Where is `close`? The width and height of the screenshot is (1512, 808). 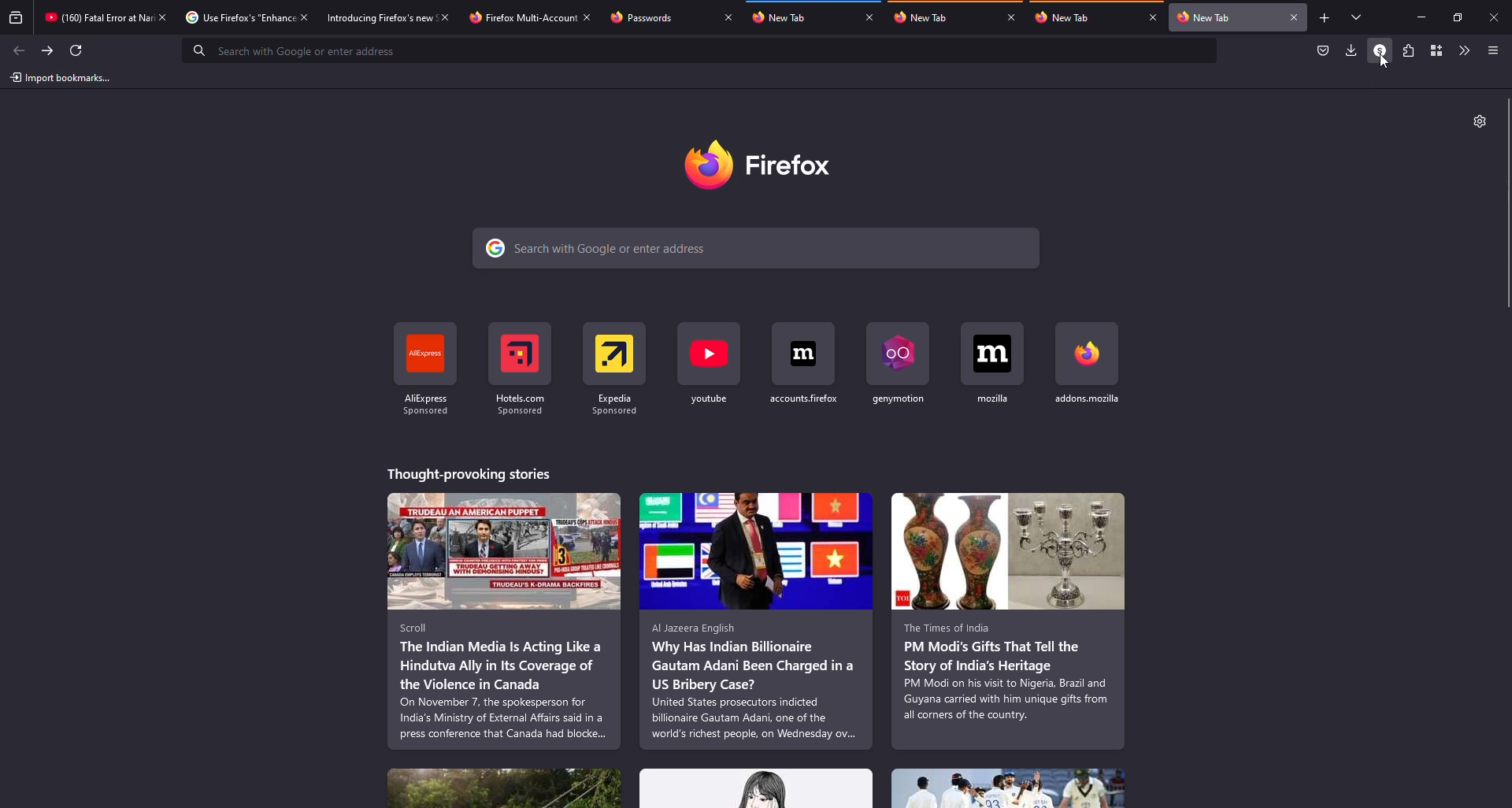 close is located at coordinates (445, 17).